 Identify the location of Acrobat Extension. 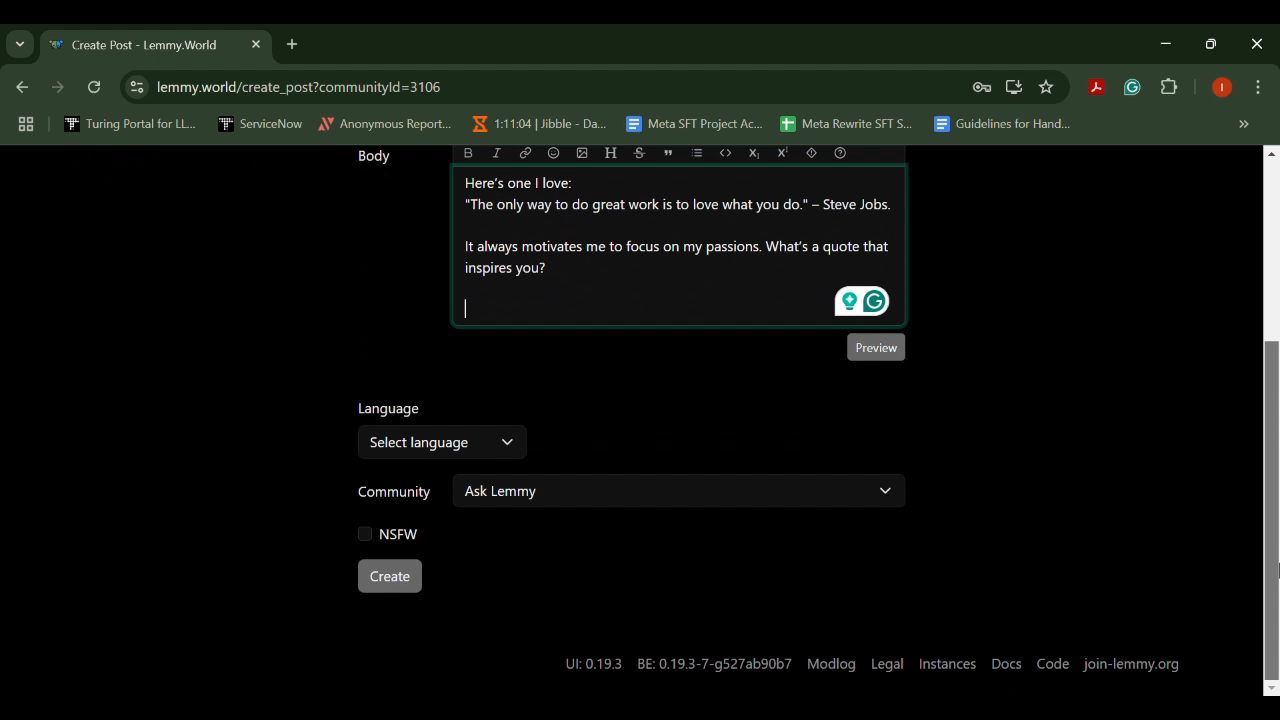
(1096, 88).